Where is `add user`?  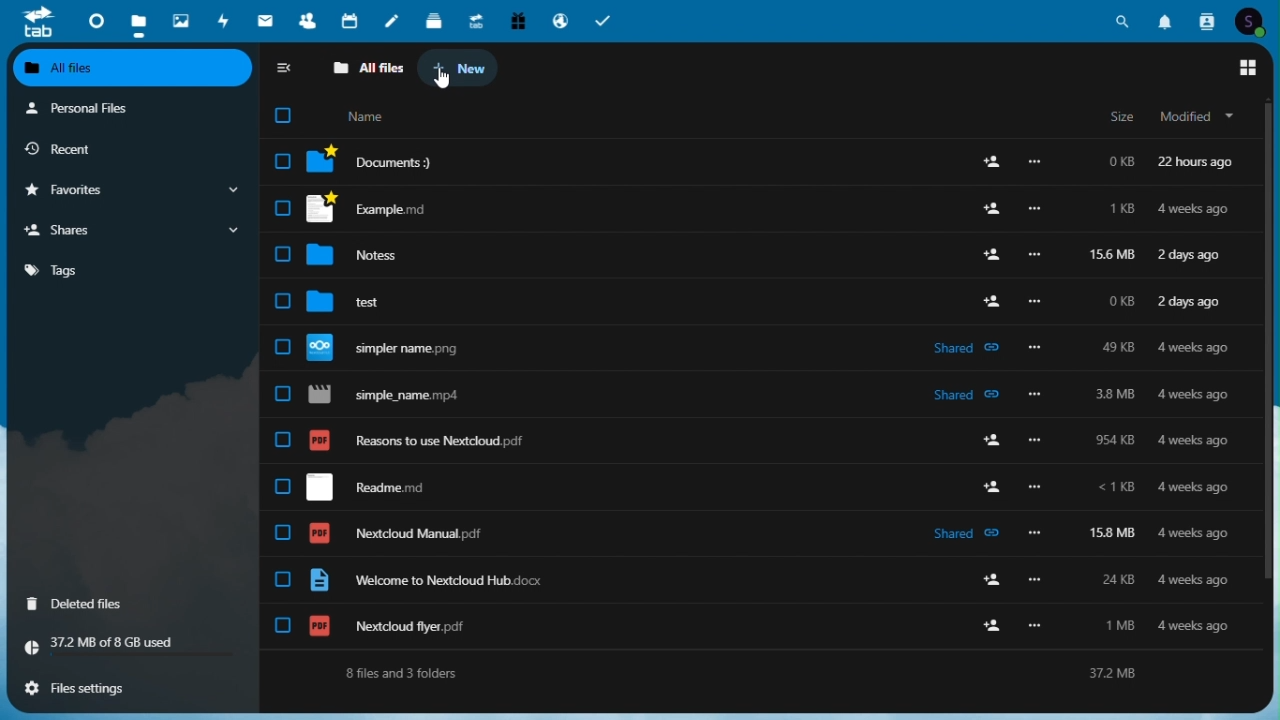
add user is located at coordinates (993, 300).